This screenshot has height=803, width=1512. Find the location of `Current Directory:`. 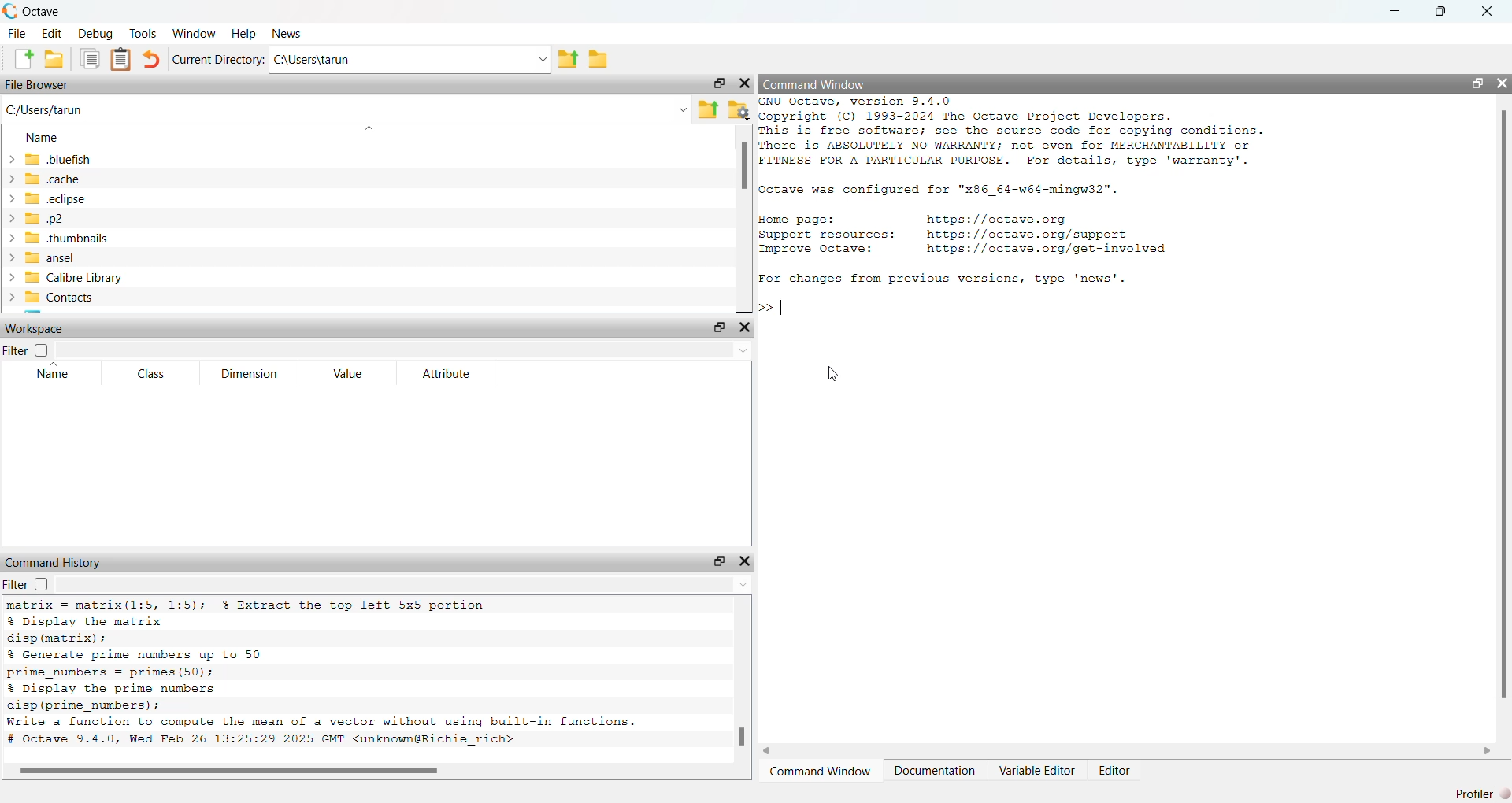

Current Directory: is located at coordinates (219, 60).